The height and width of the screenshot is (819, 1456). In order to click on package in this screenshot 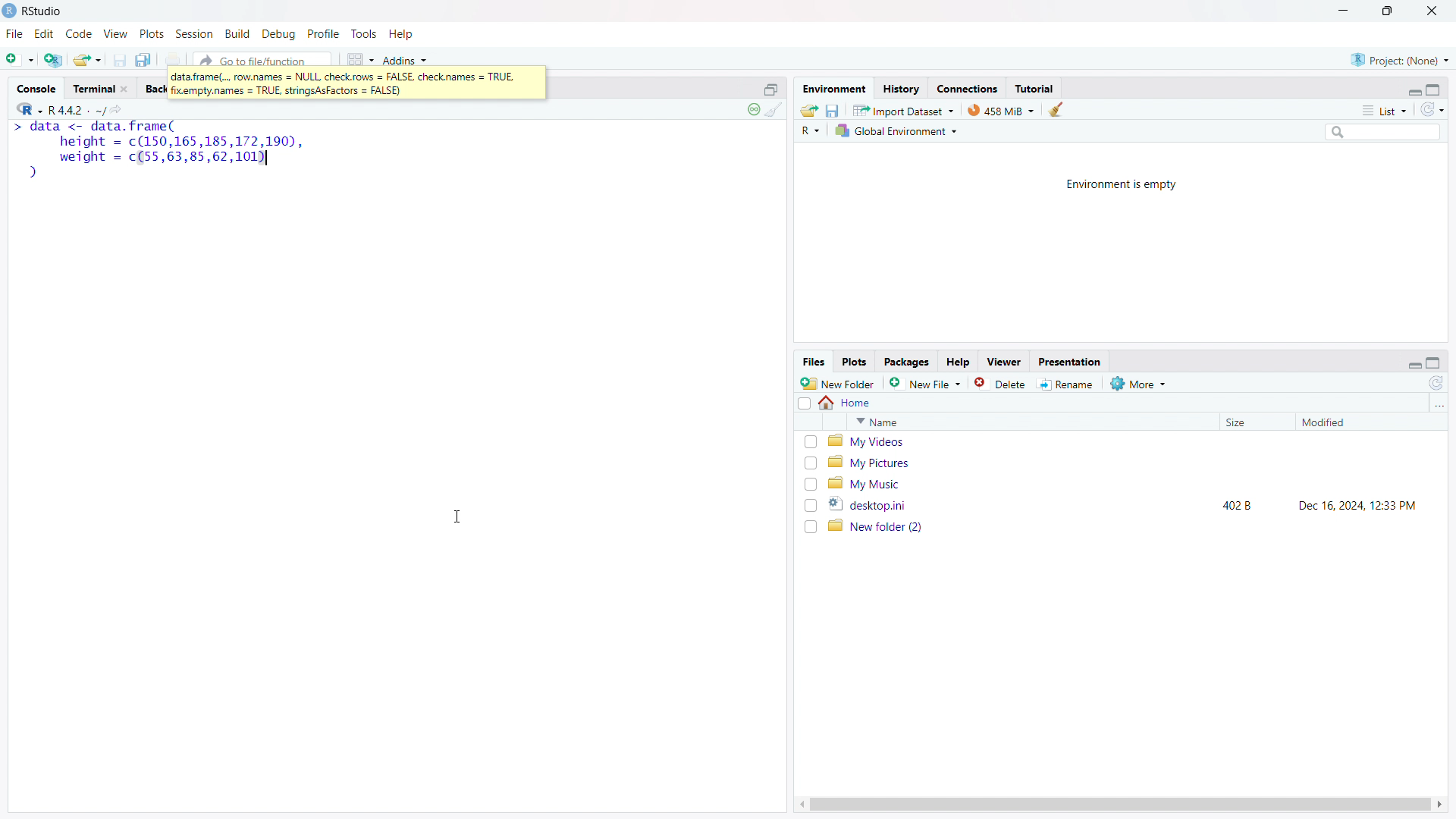, I will do `click(906, 362)`.